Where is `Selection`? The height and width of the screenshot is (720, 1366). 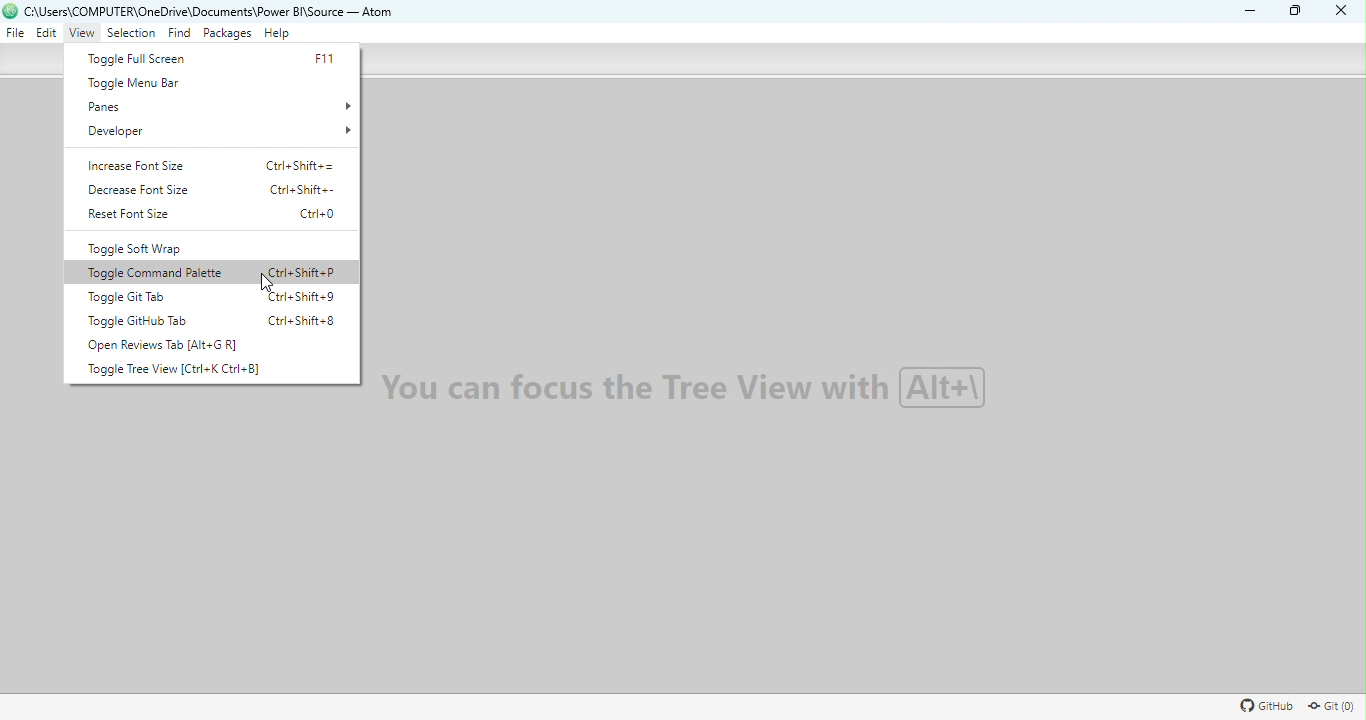
Selection is located at coordinates (131, 36).